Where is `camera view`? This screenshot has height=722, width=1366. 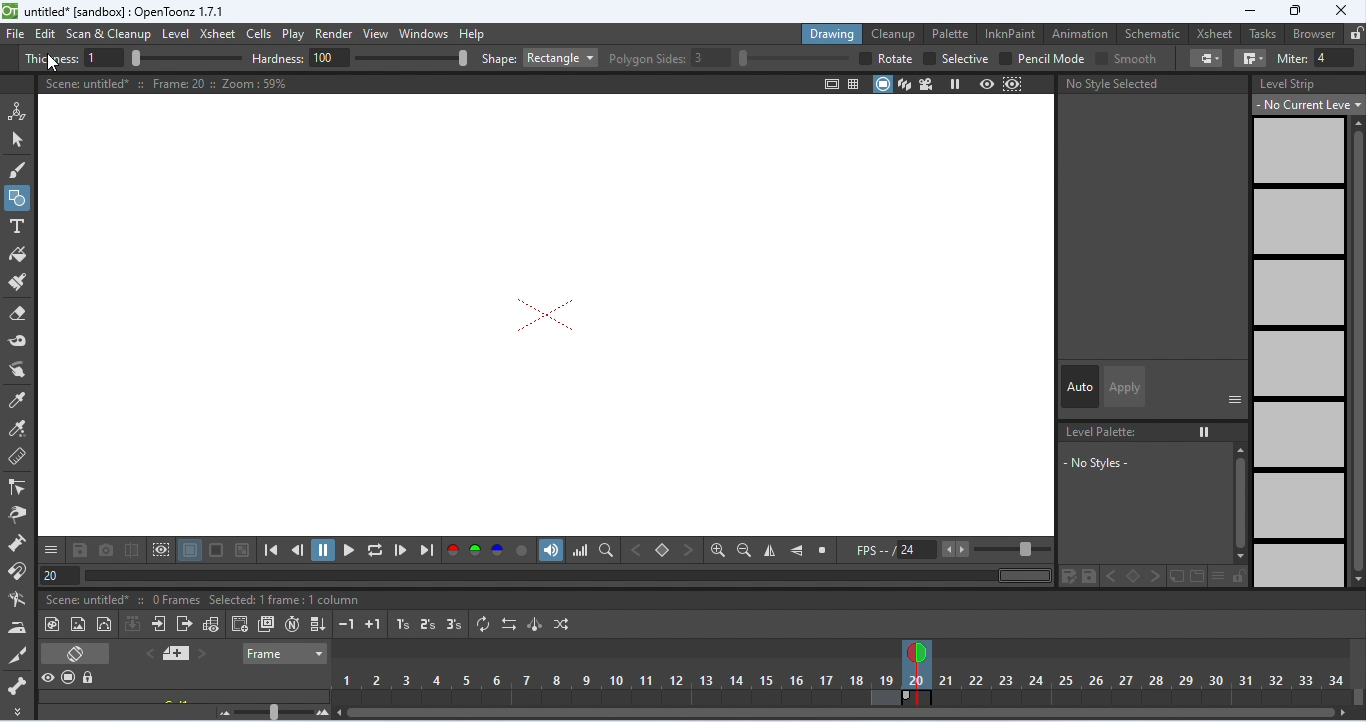
camera view is located at coordinates (928, 84).